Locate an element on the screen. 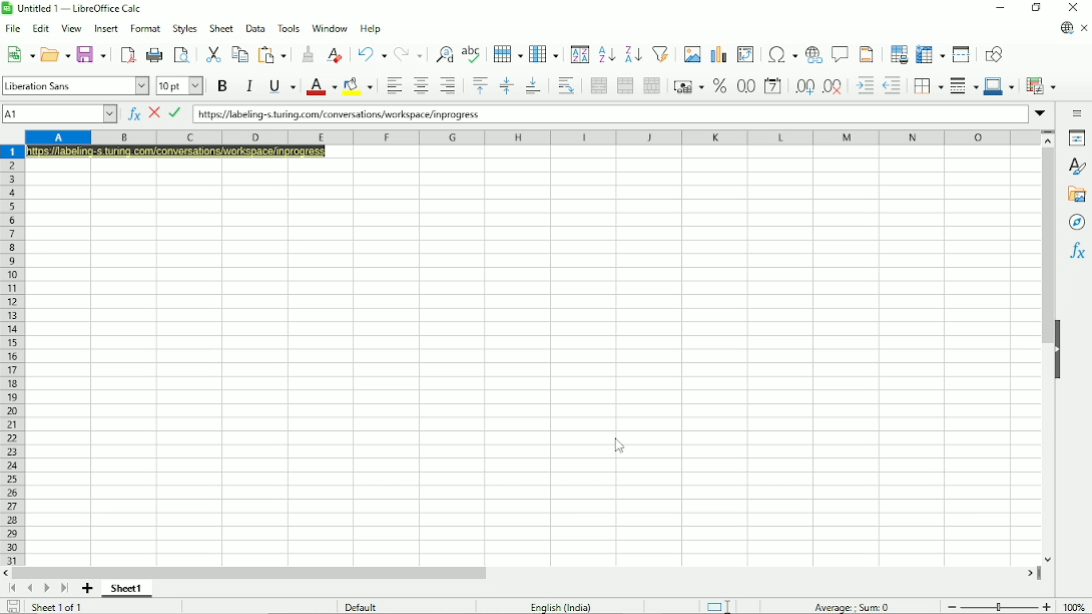  A1 is located at coordinates (61, 115).